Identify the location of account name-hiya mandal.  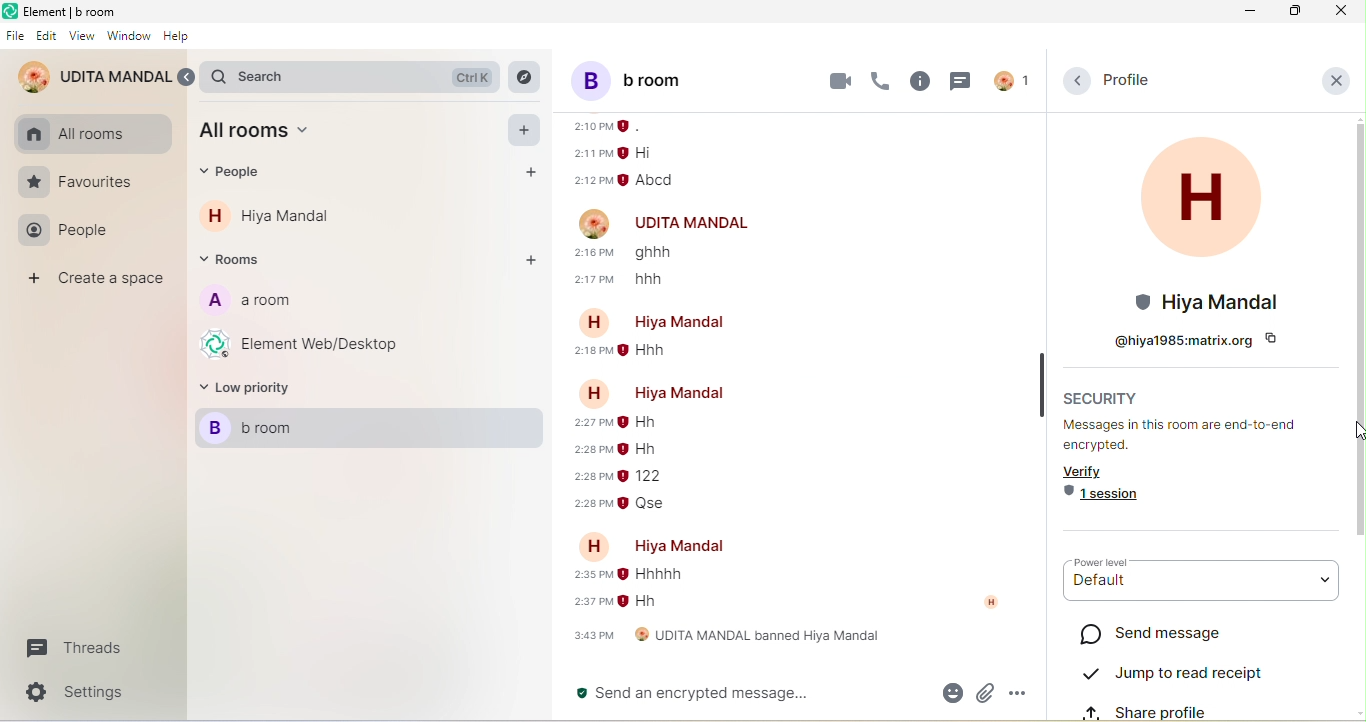
(663, 321).